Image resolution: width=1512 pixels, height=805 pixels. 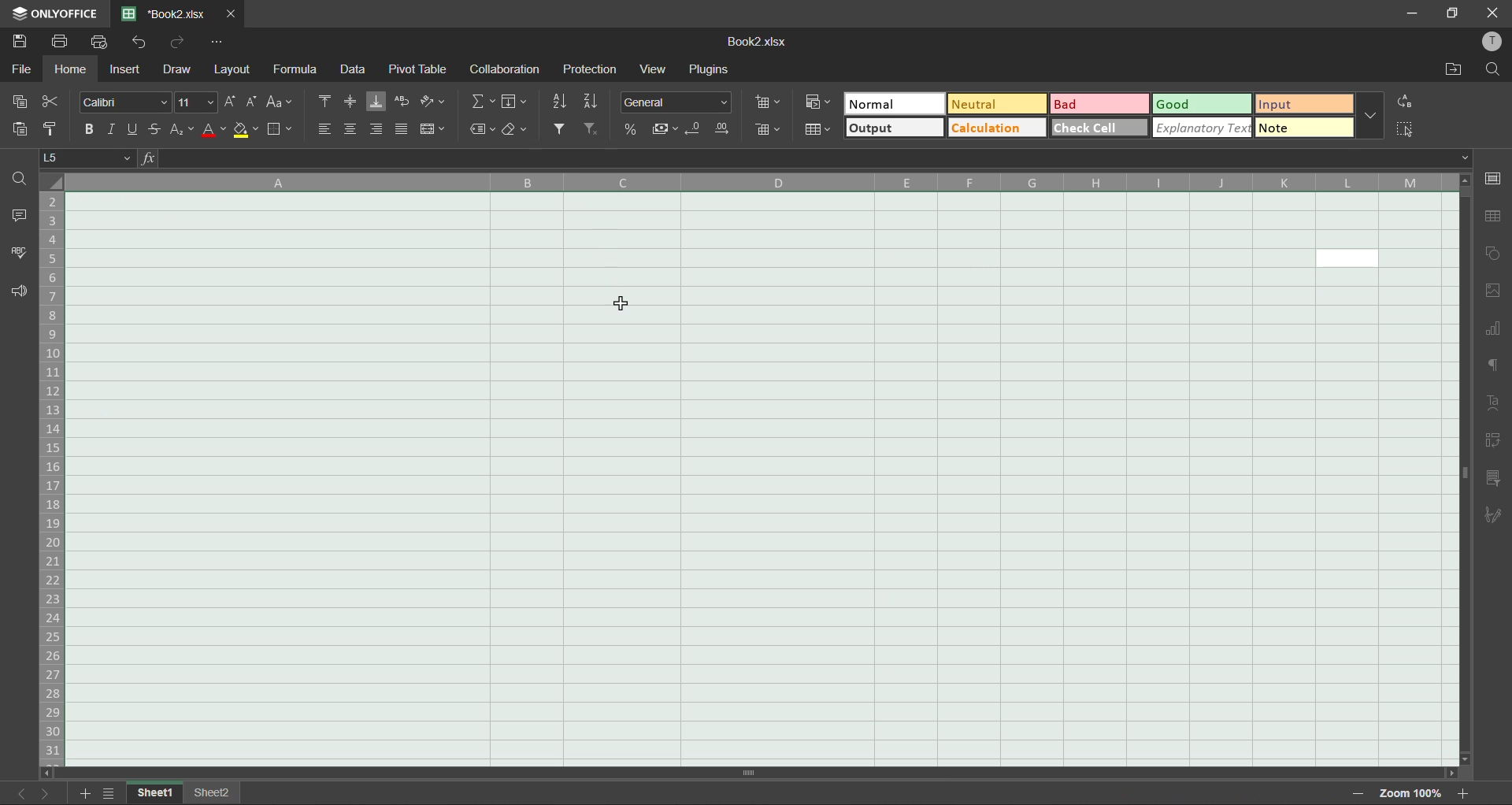 I want to click on accounting, so click(x=666, y=129).